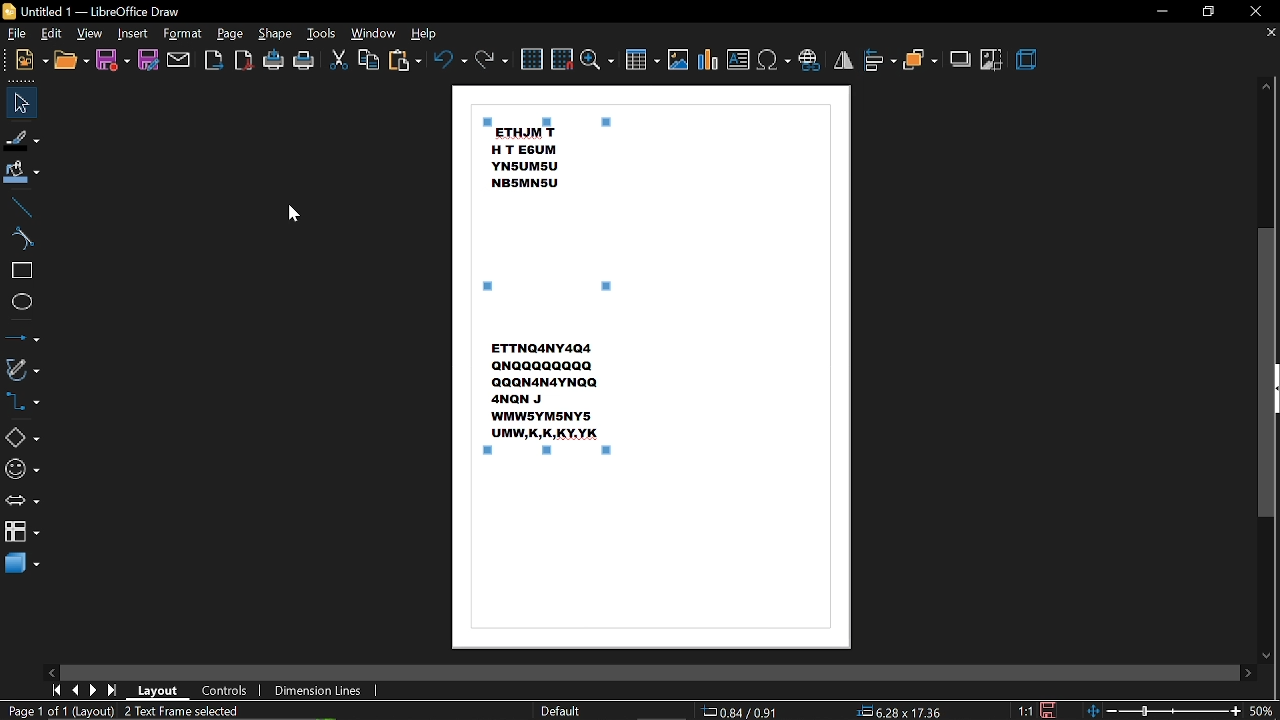 This screenshot has width=1280, height=720. Describe the element at coordinates (23, 436) in the screenshot. I see `basic shapes` at that location.